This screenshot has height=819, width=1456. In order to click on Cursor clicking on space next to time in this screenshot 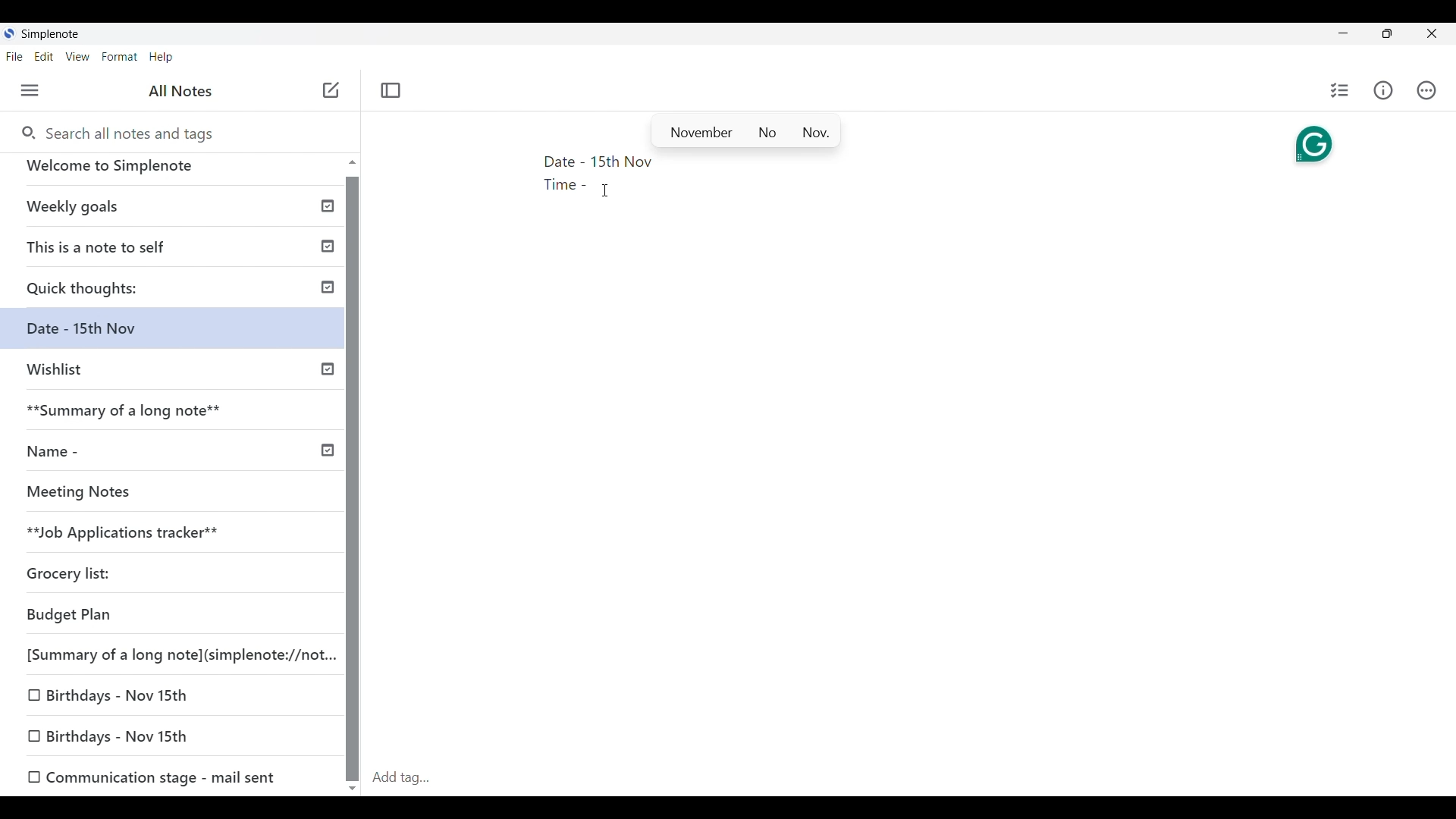, I will do `click(605, 190)`.